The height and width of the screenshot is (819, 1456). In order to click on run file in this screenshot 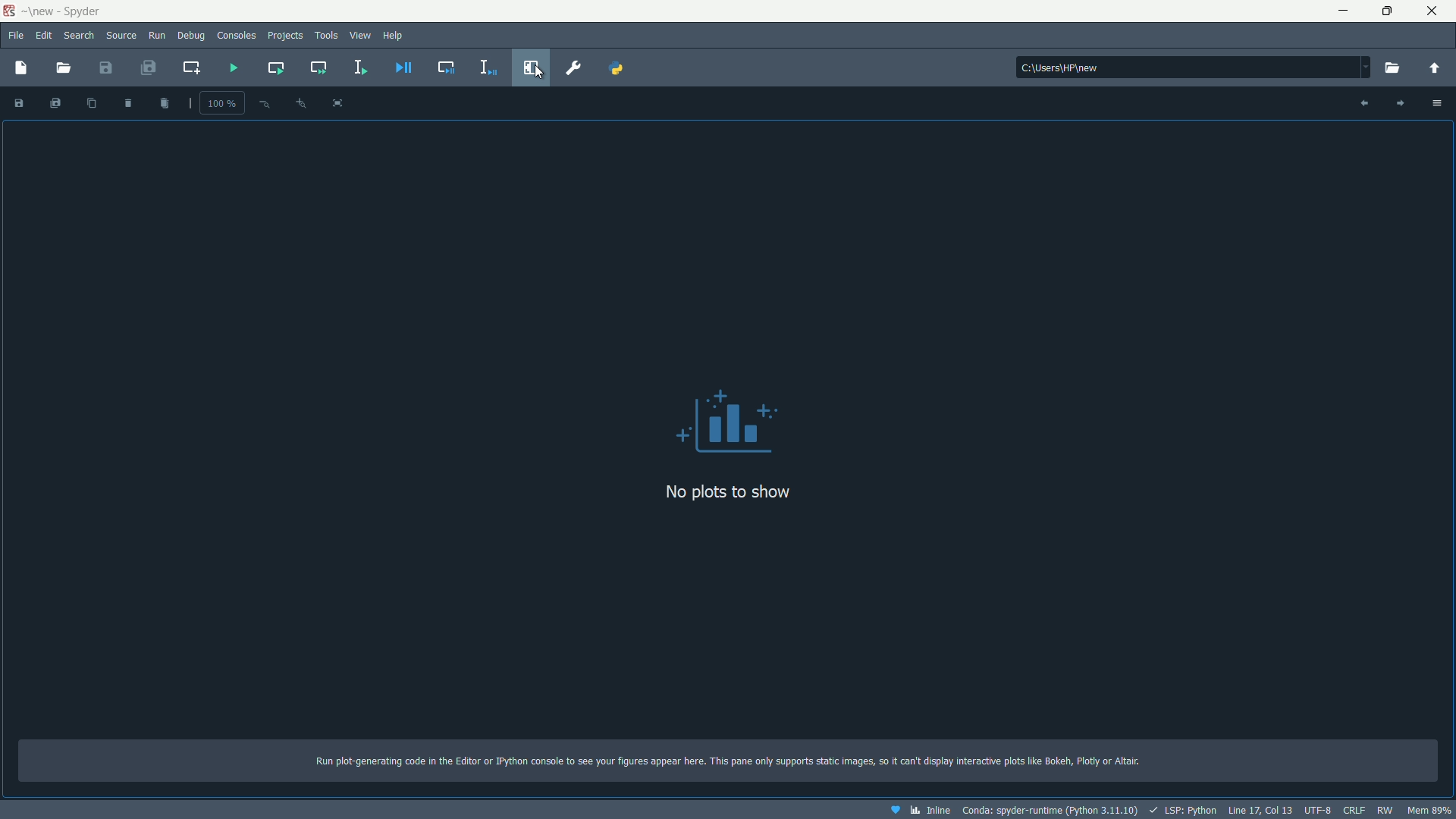, I will do `click(234, 69)`.